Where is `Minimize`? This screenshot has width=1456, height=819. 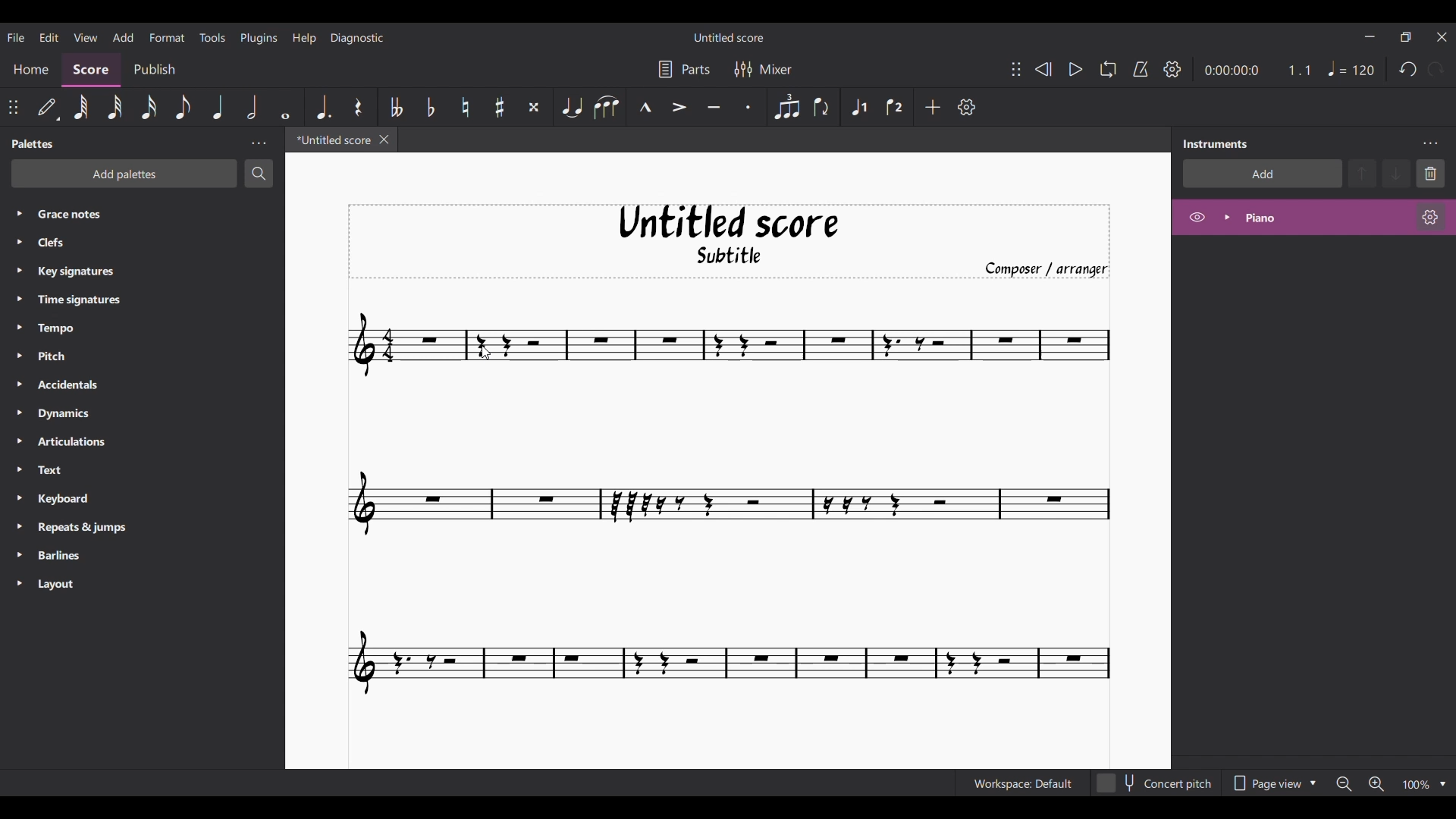
Minimize is located at coordinates (1370, 36).